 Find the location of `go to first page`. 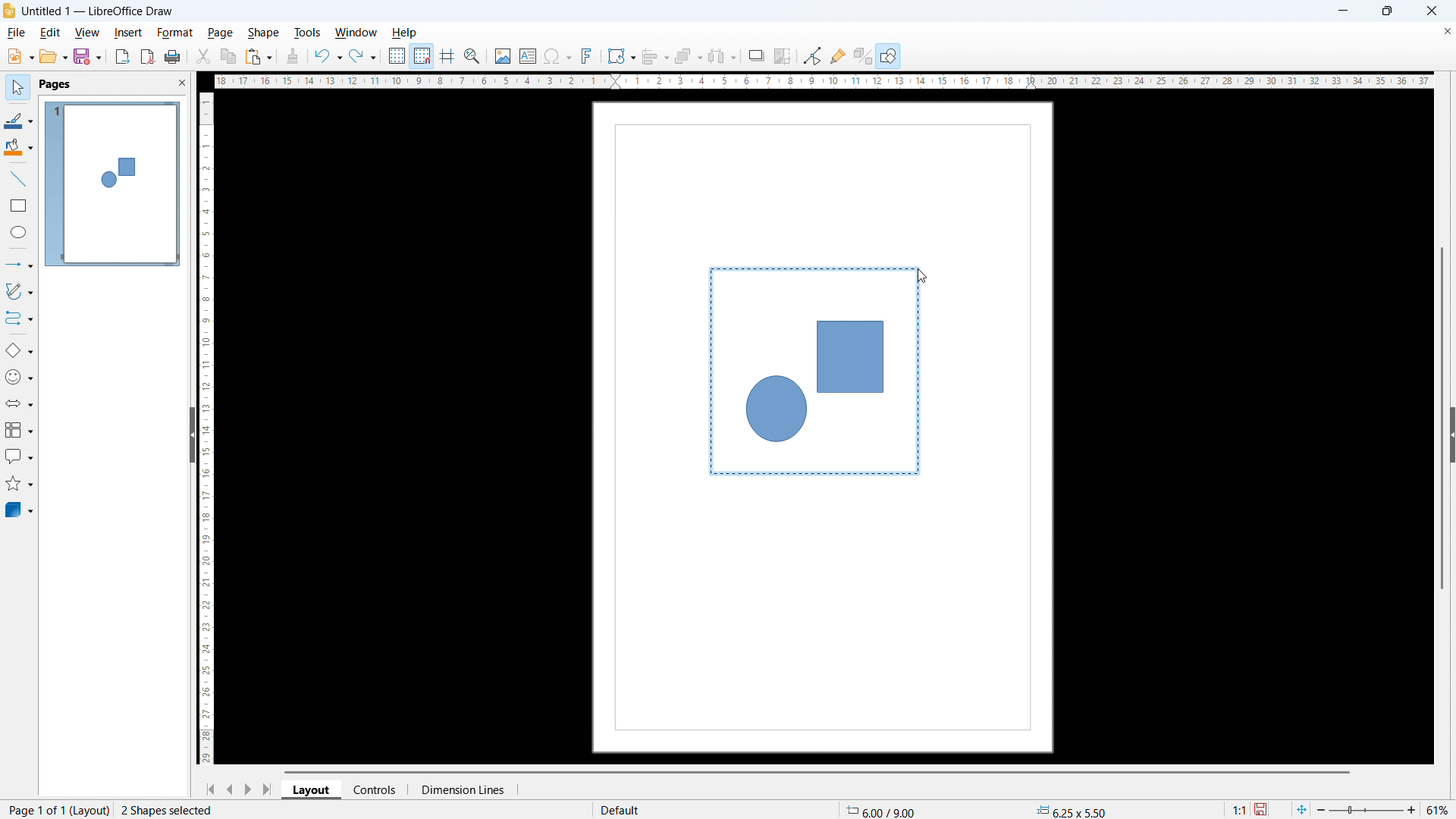

go to first page is located at coordinates (211, 789).